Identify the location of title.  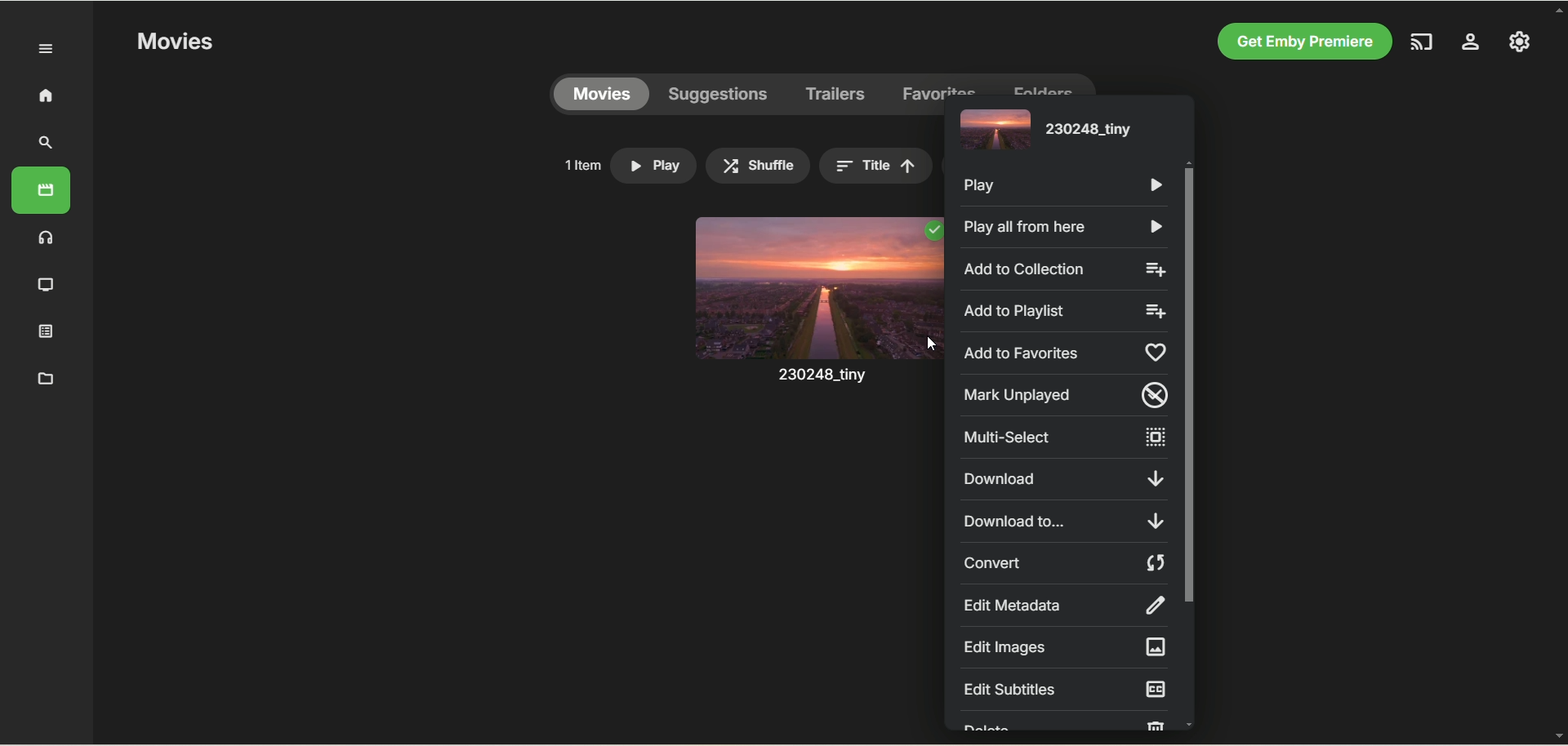
(875, 166).